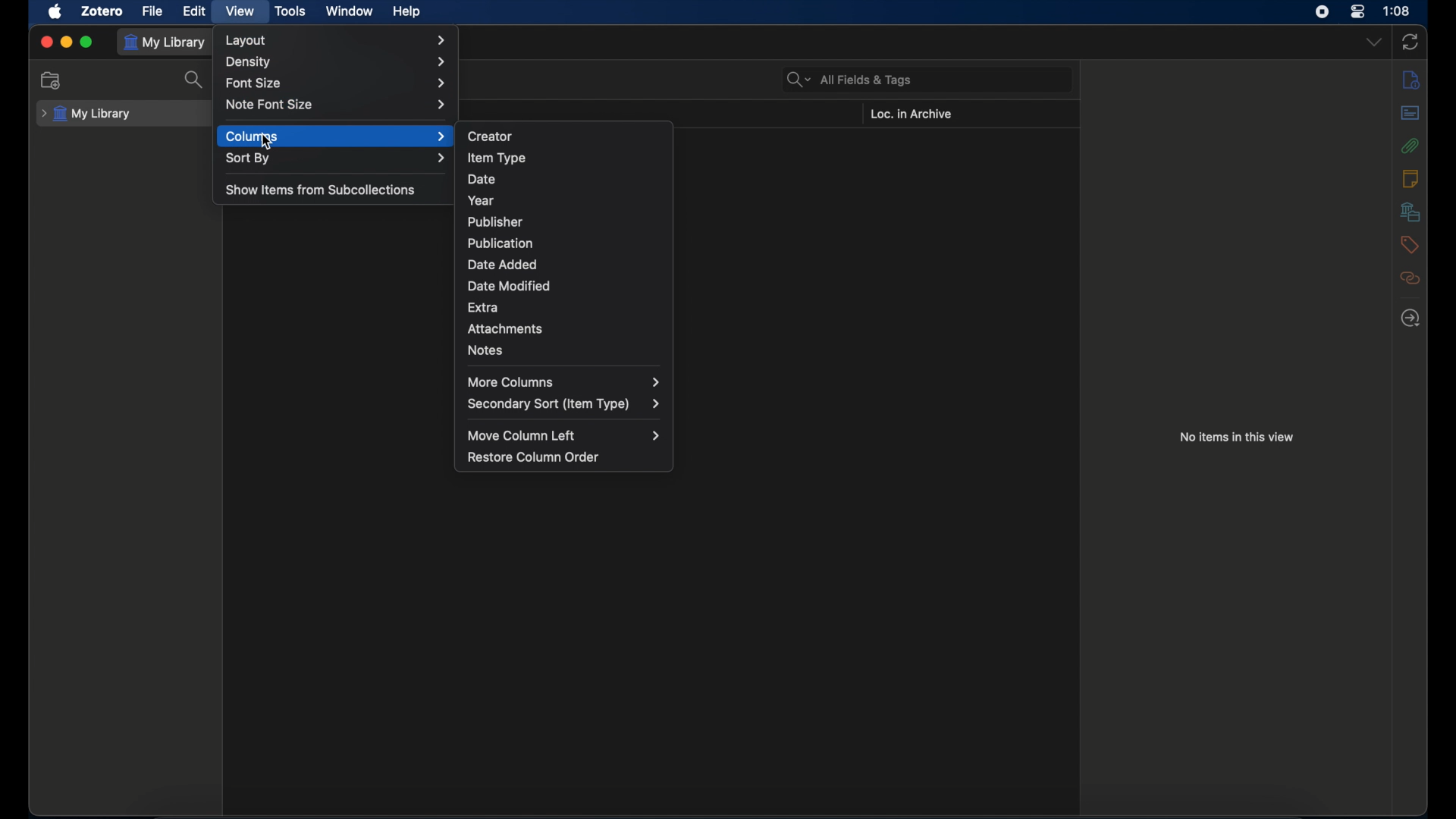 This screenshot has width=1456, height=819. I want to click on new collection, so click(51, 80).